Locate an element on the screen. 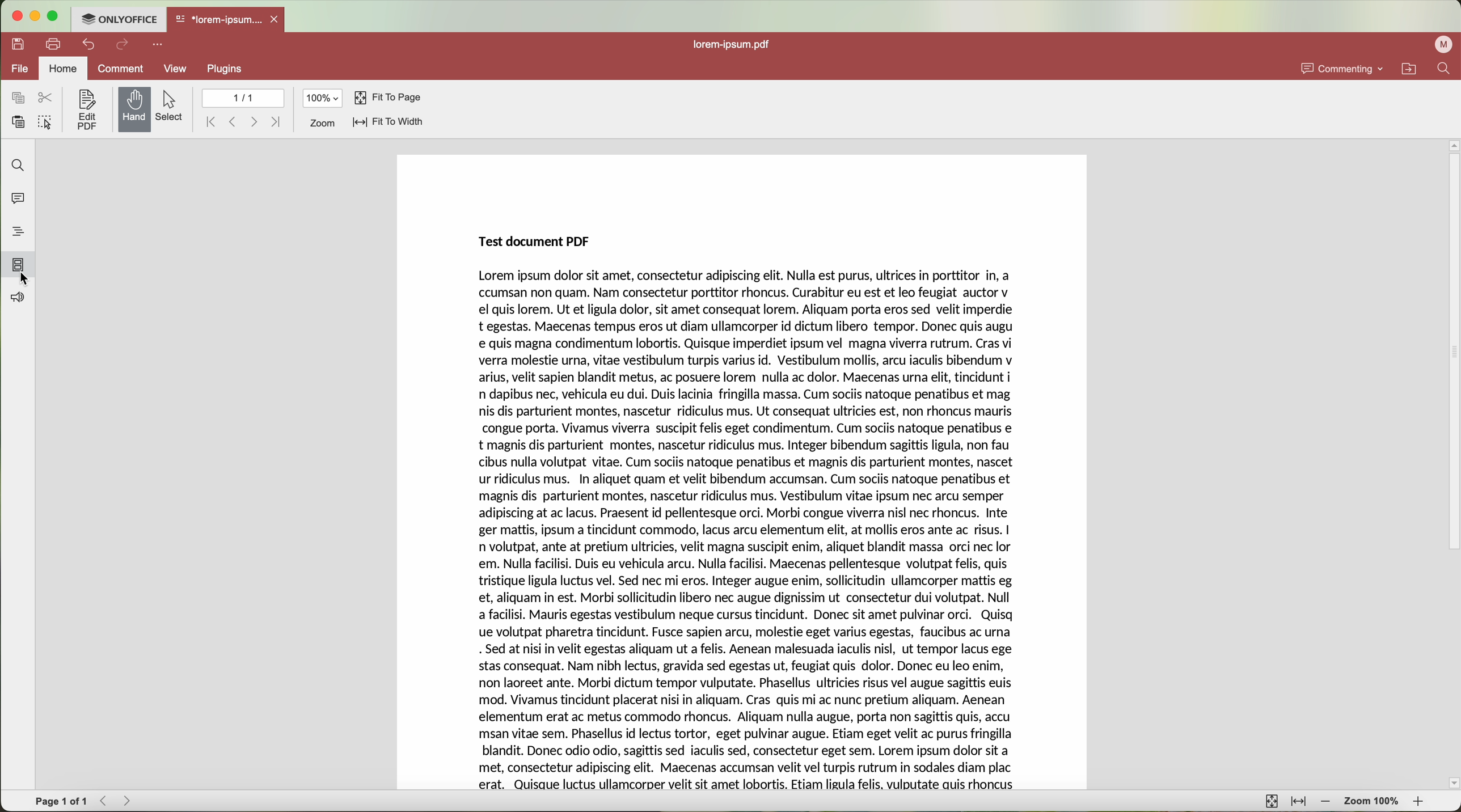 The height and width of the screenshot is (812, 1461). find is located at coordinates (16, 165).